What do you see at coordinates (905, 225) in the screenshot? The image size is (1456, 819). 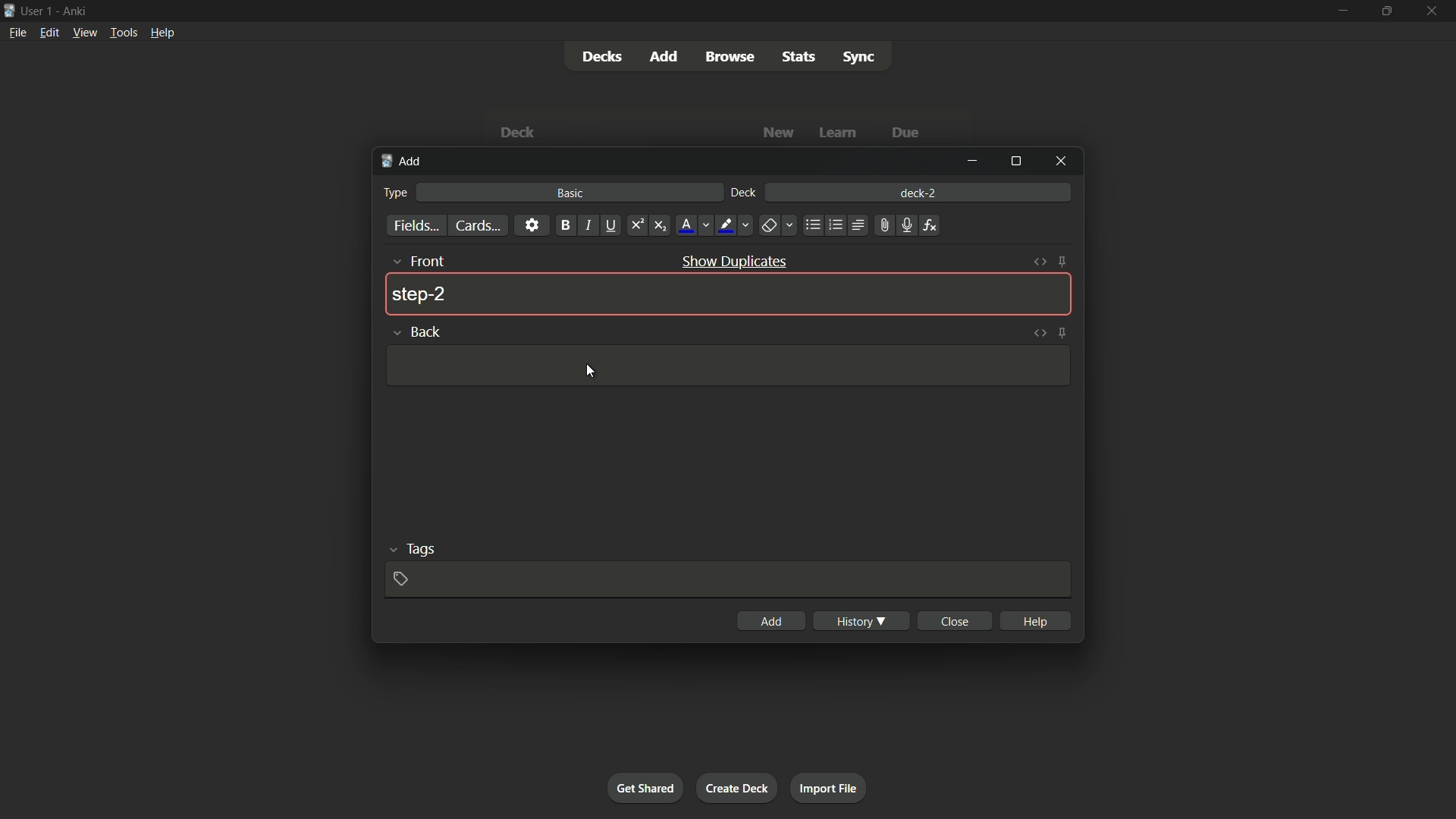 I see `record audio` at bounding box center [905, 225].